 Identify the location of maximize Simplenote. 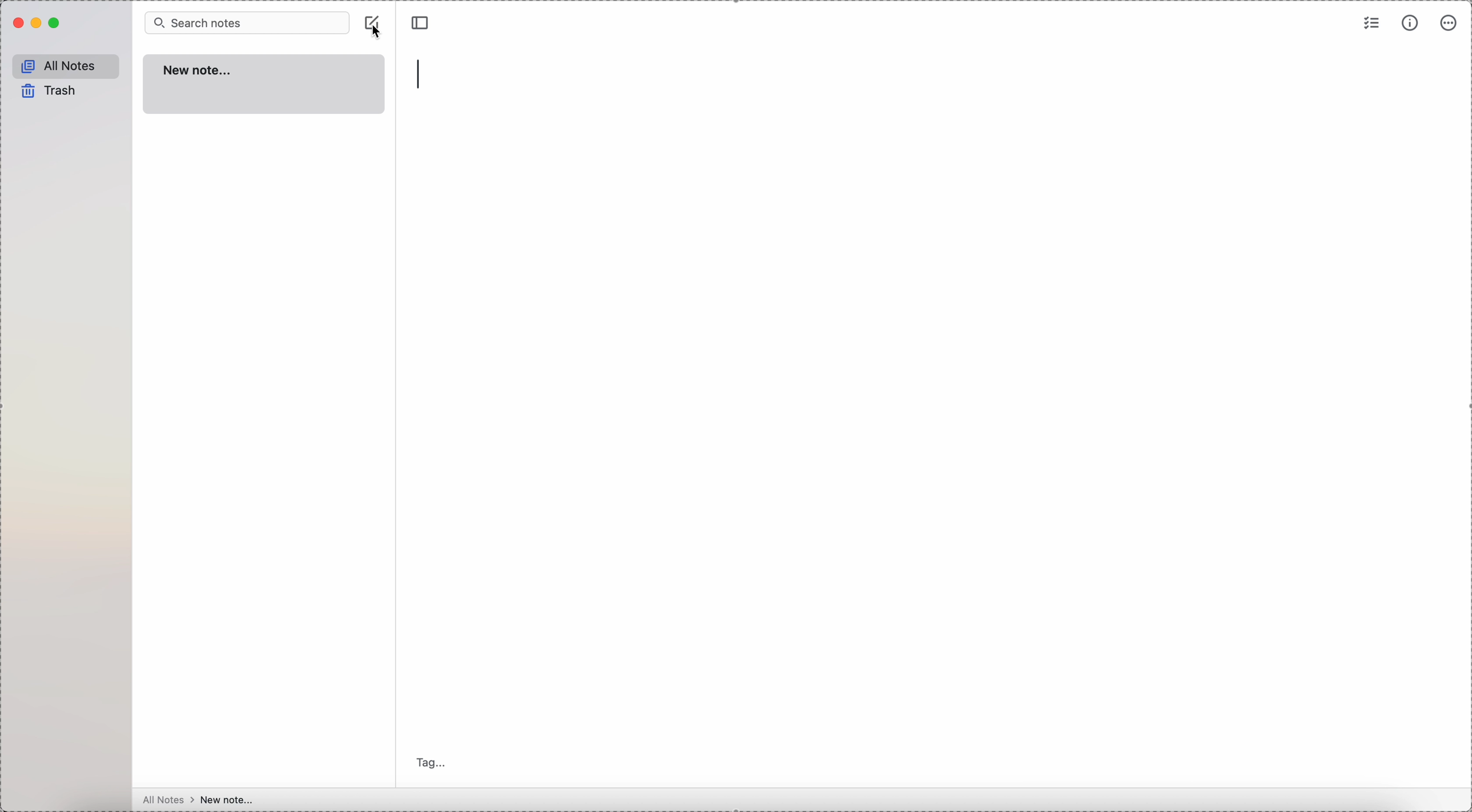
(58, 23).